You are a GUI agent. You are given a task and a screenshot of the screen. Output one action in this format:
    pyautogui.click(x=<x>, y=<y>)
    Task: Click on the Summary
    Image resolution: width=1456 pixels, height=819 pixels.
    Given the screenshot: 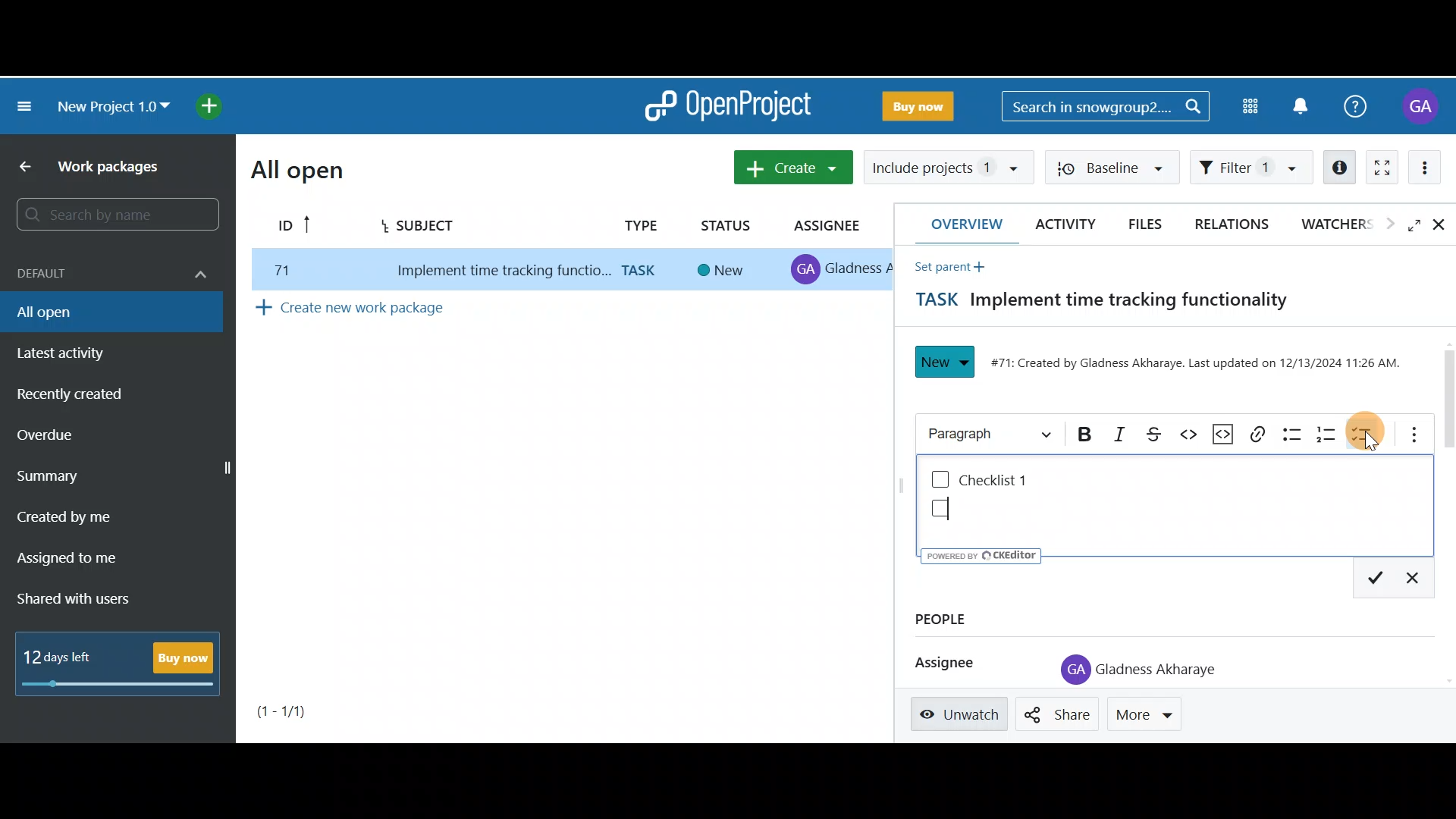 What is the action you would take?
    pyautogui.click(x=63, y=475)
    